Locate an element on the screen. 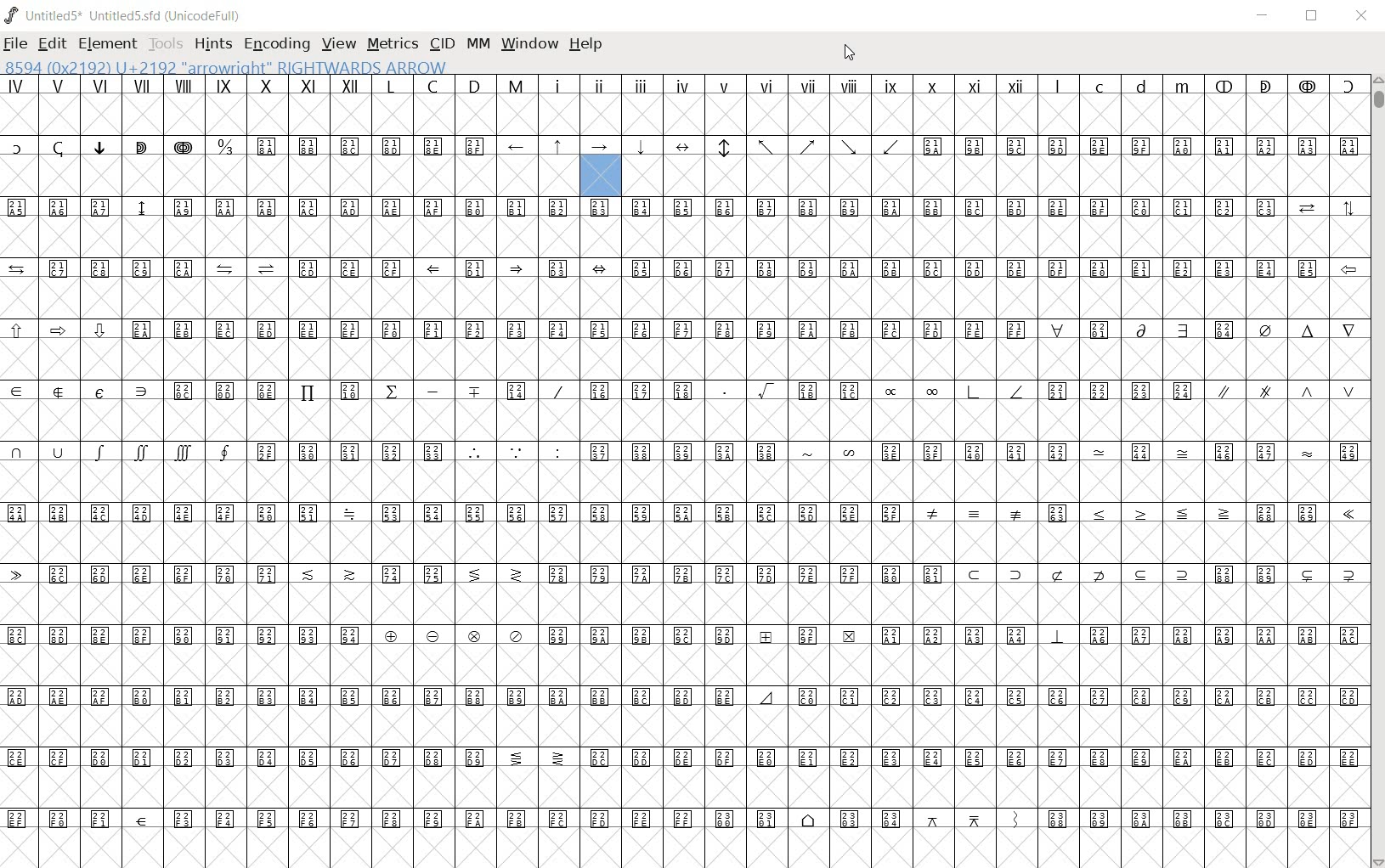  TOOLS is located at coordinates (164, 45).